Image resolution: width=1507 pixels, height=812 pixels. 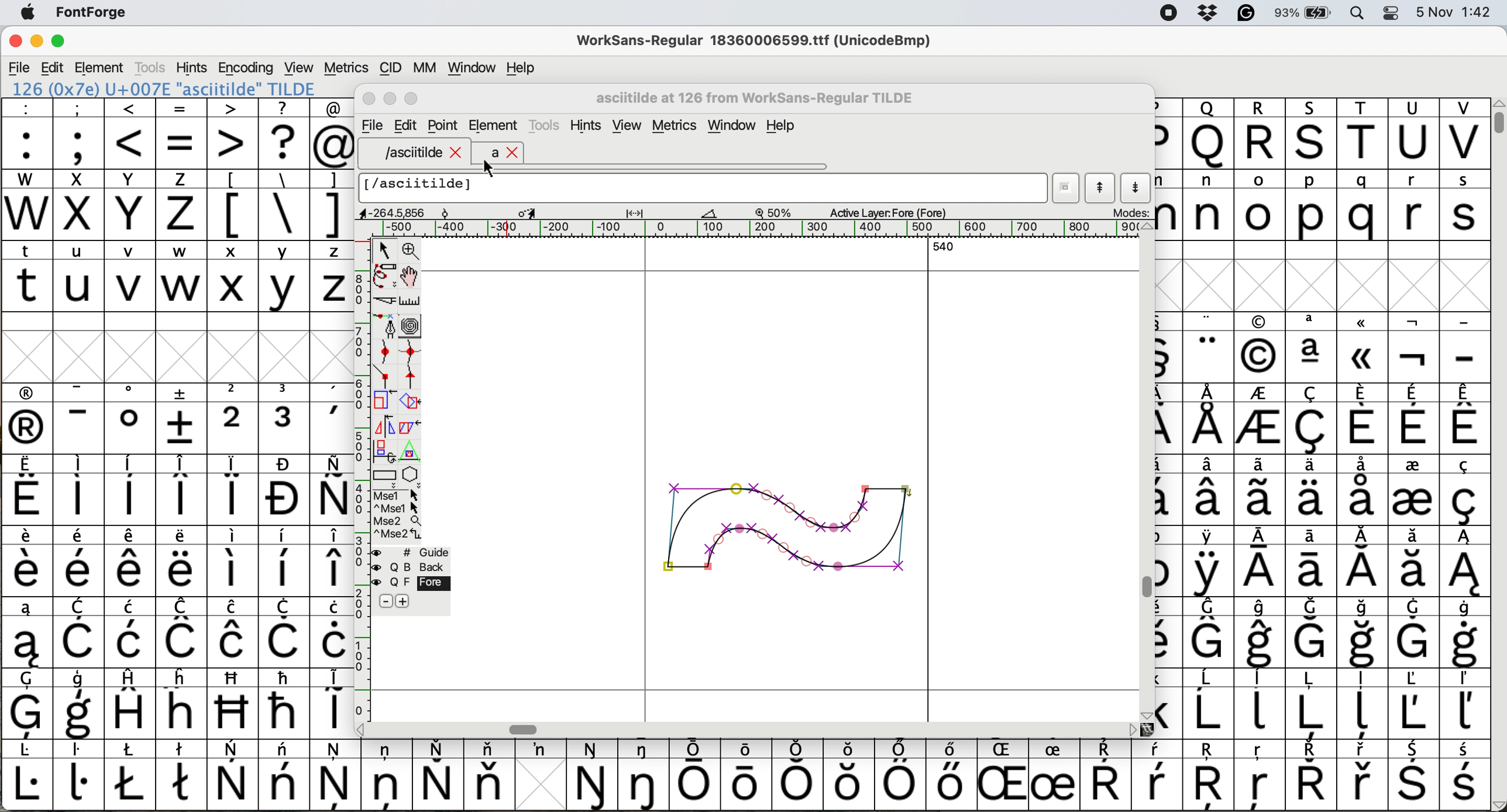 I want to click on symbol, so click(x=1312, y=562).